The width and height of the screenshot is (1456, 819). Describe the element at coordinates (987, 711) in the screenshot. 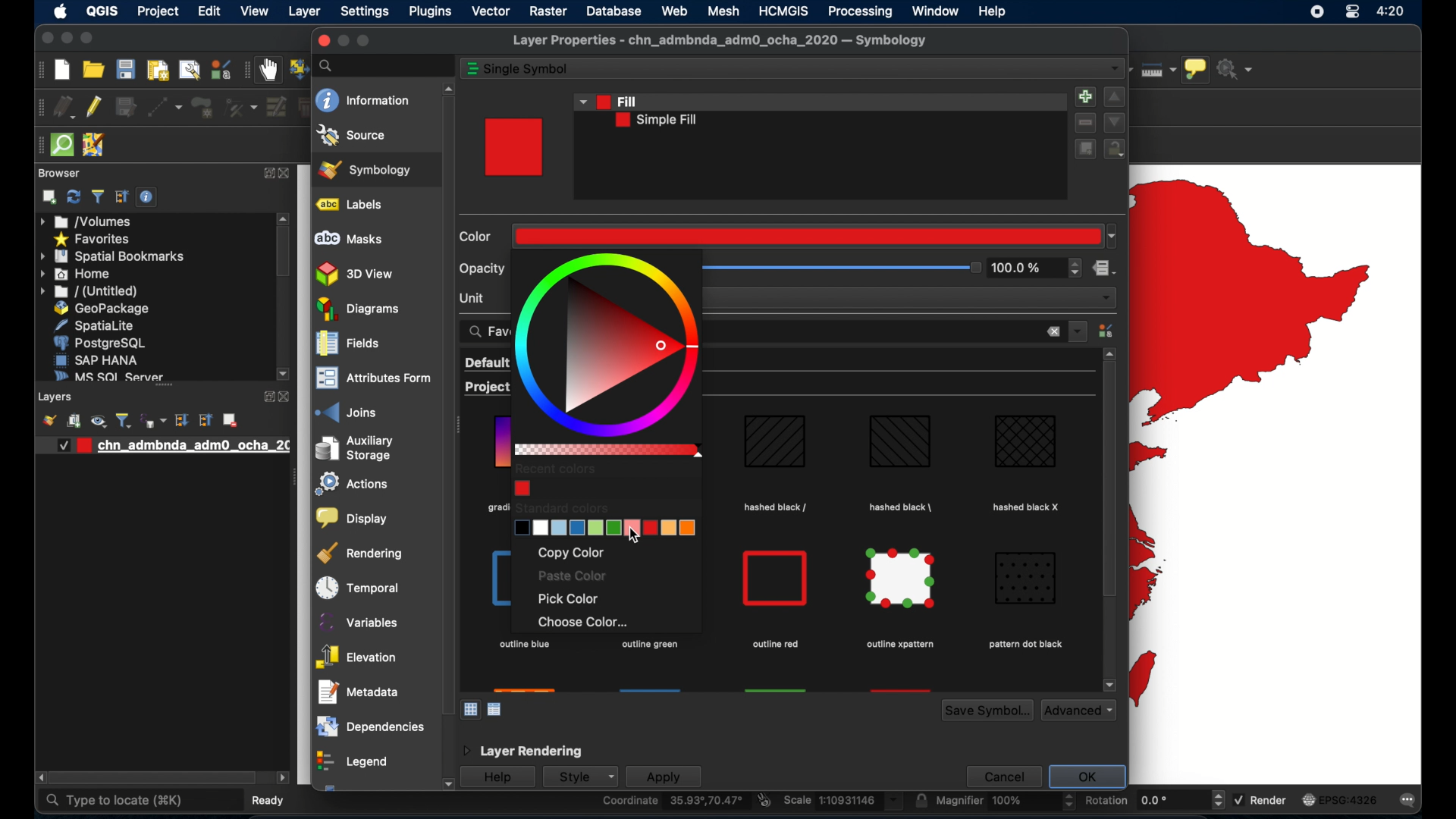

I see `save symbol` at that location.